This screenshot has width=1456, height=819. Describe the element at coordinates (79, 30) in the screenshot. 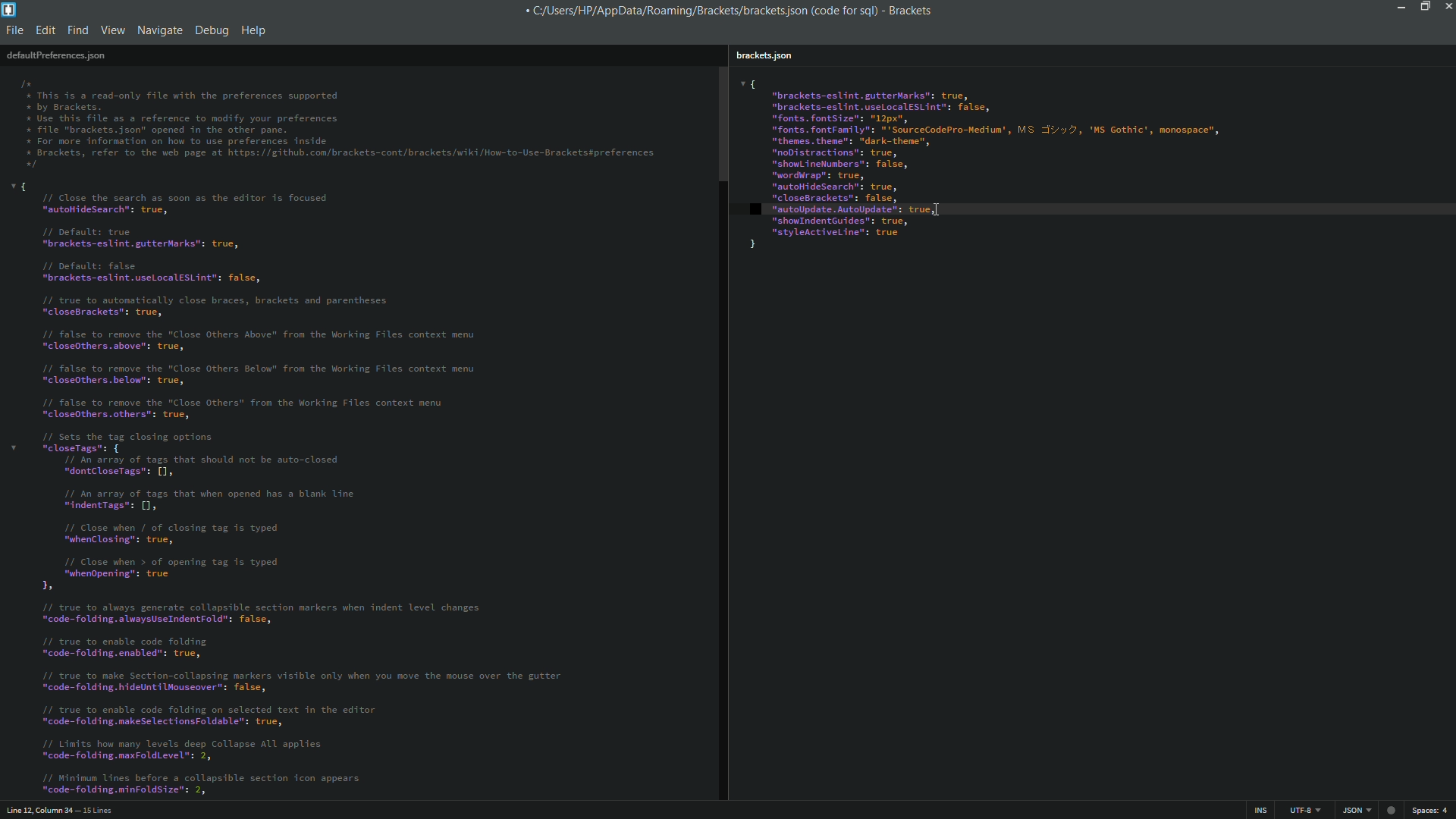

I see `find menu` at that location.